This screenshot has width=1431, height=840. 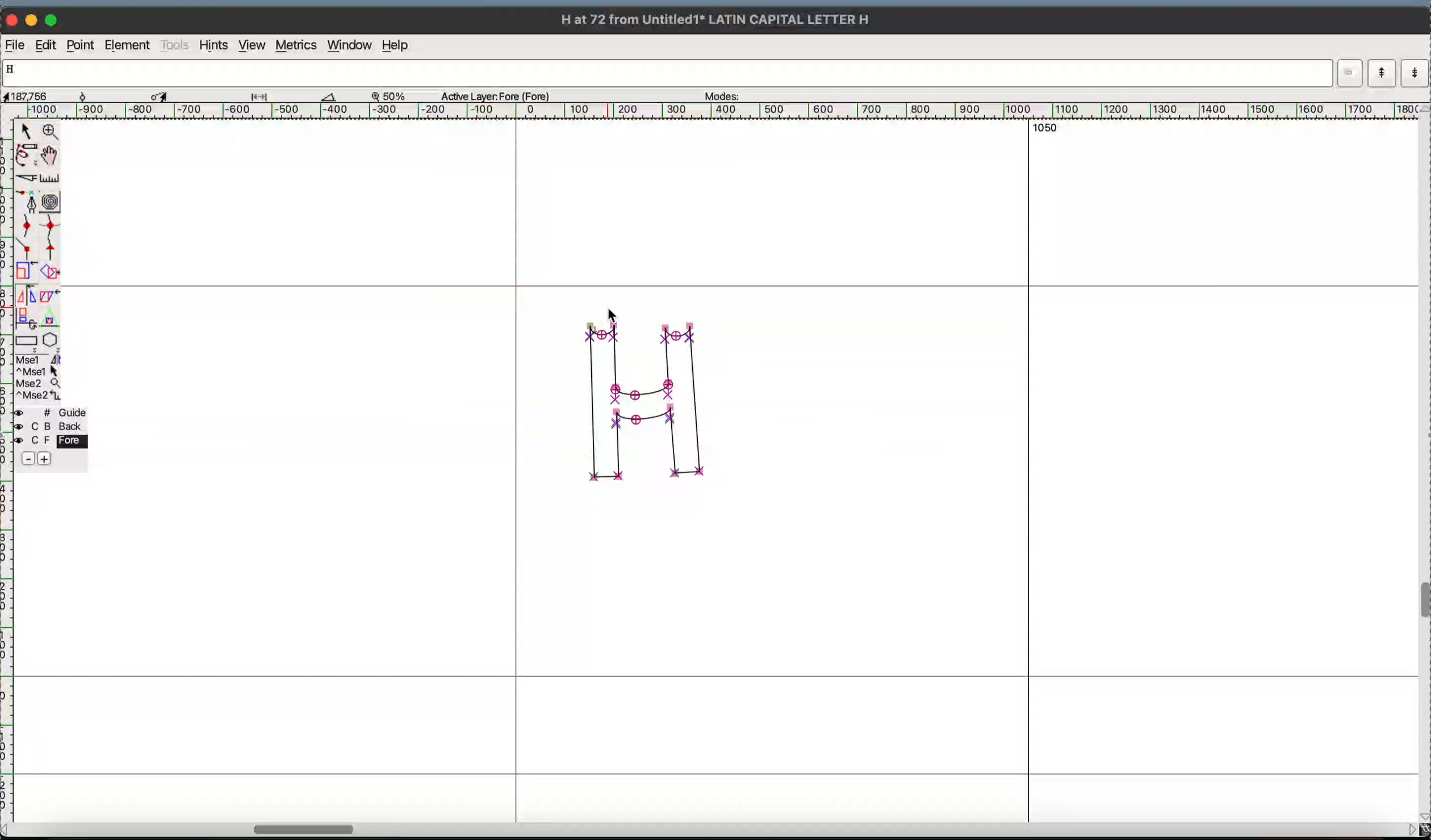 I want to click on scale, so click(x=26, y=271).